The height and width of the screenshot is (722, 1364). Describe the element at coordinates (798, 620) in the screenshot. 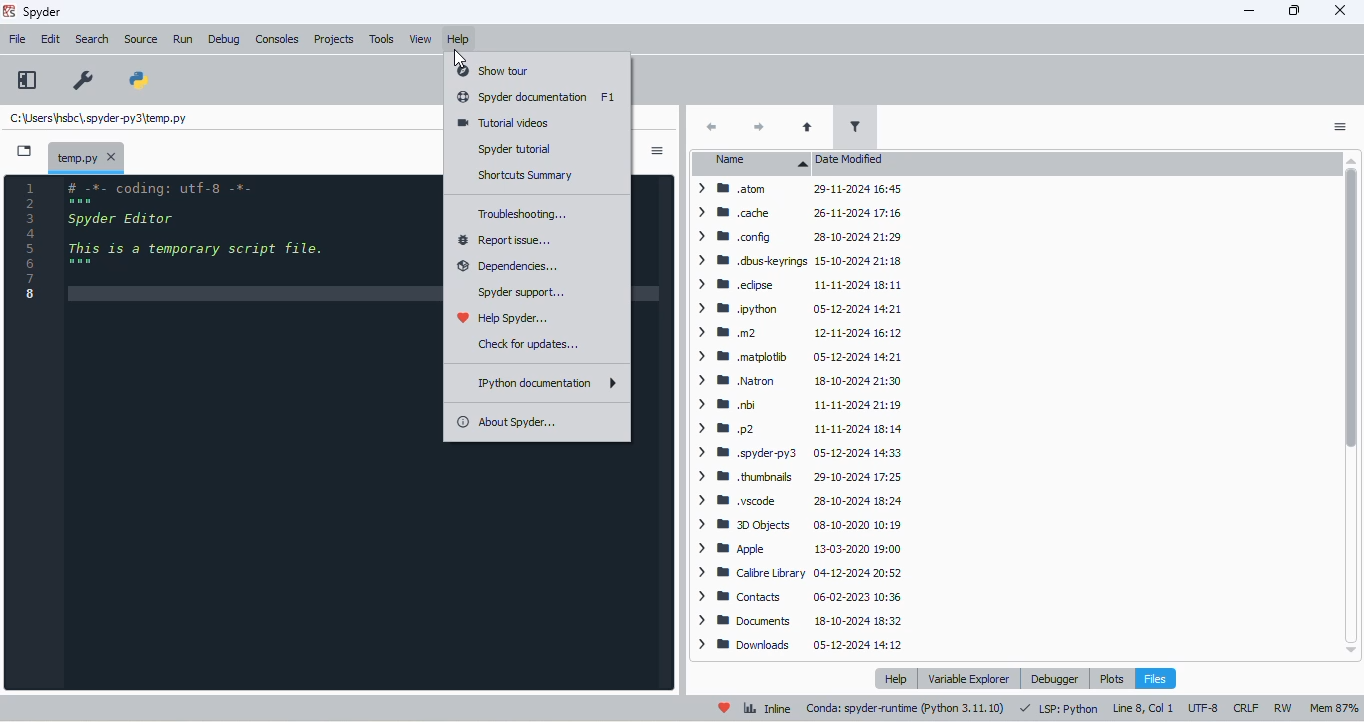

I see `> 8 Documents 18-10-2024 18:32` at that location.